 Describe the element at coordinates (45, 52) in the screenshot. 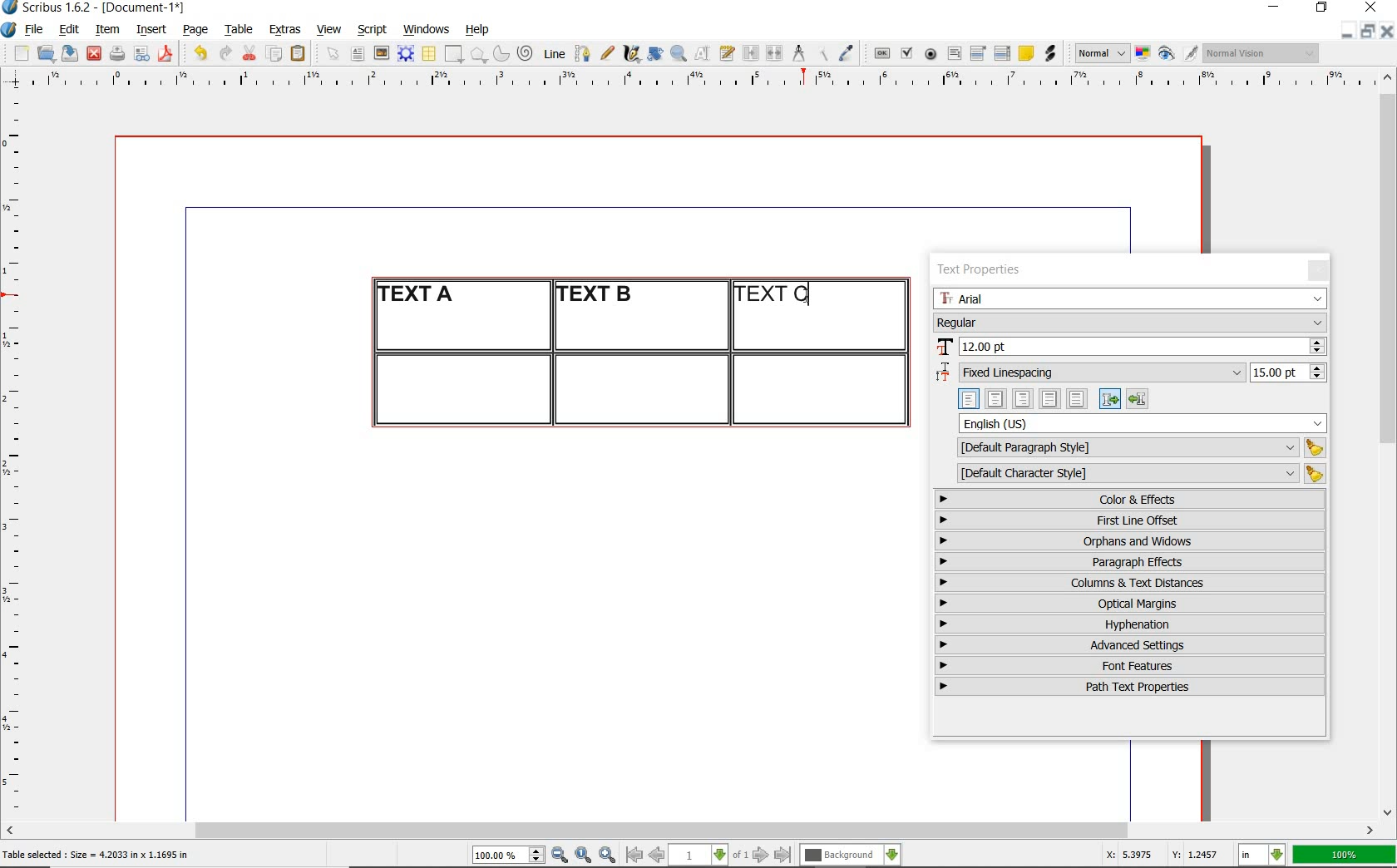

I see `open` at that location.